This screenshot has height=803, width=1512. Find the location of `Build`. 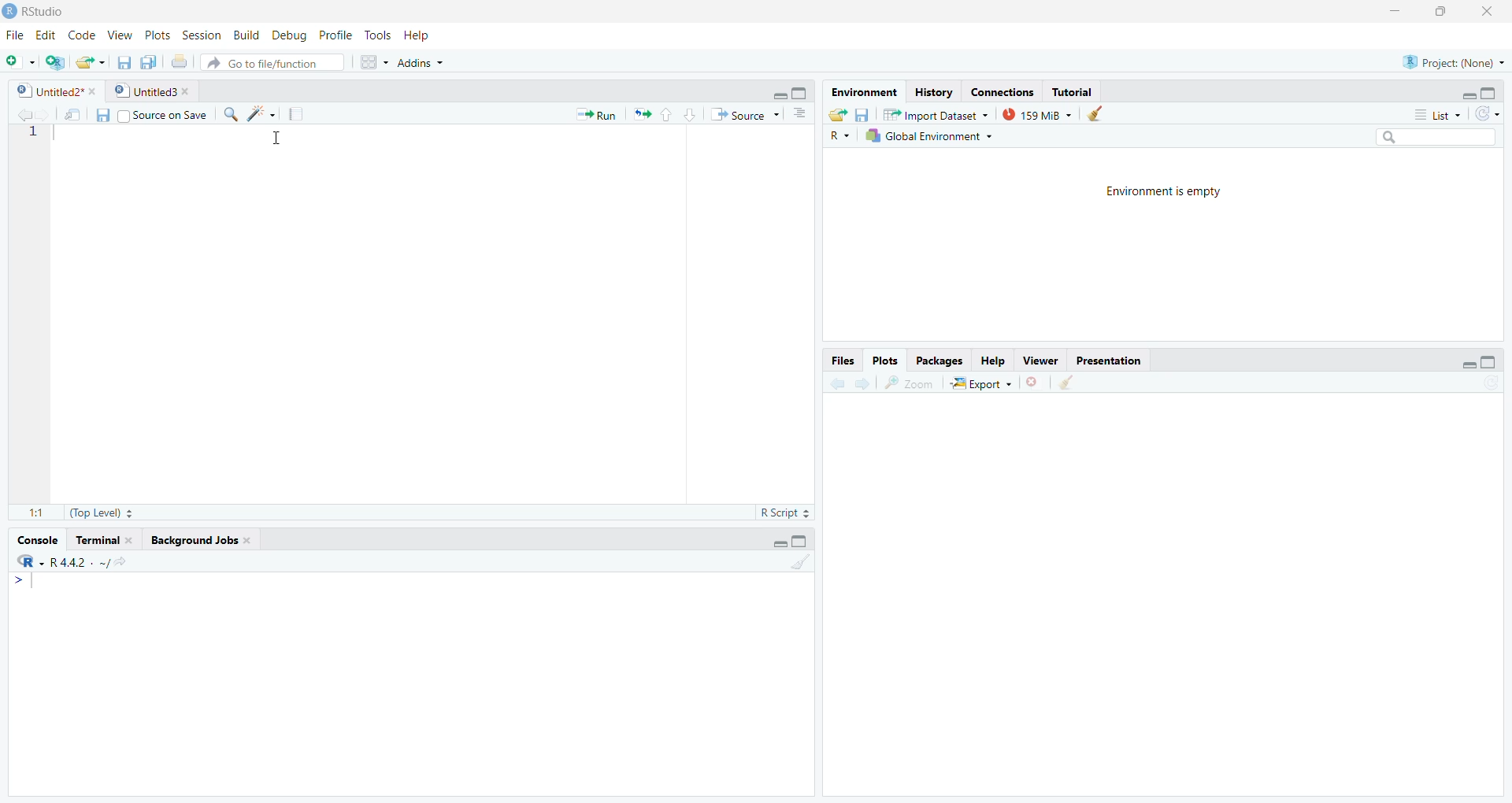

Build is located at coordinates (245, 35).